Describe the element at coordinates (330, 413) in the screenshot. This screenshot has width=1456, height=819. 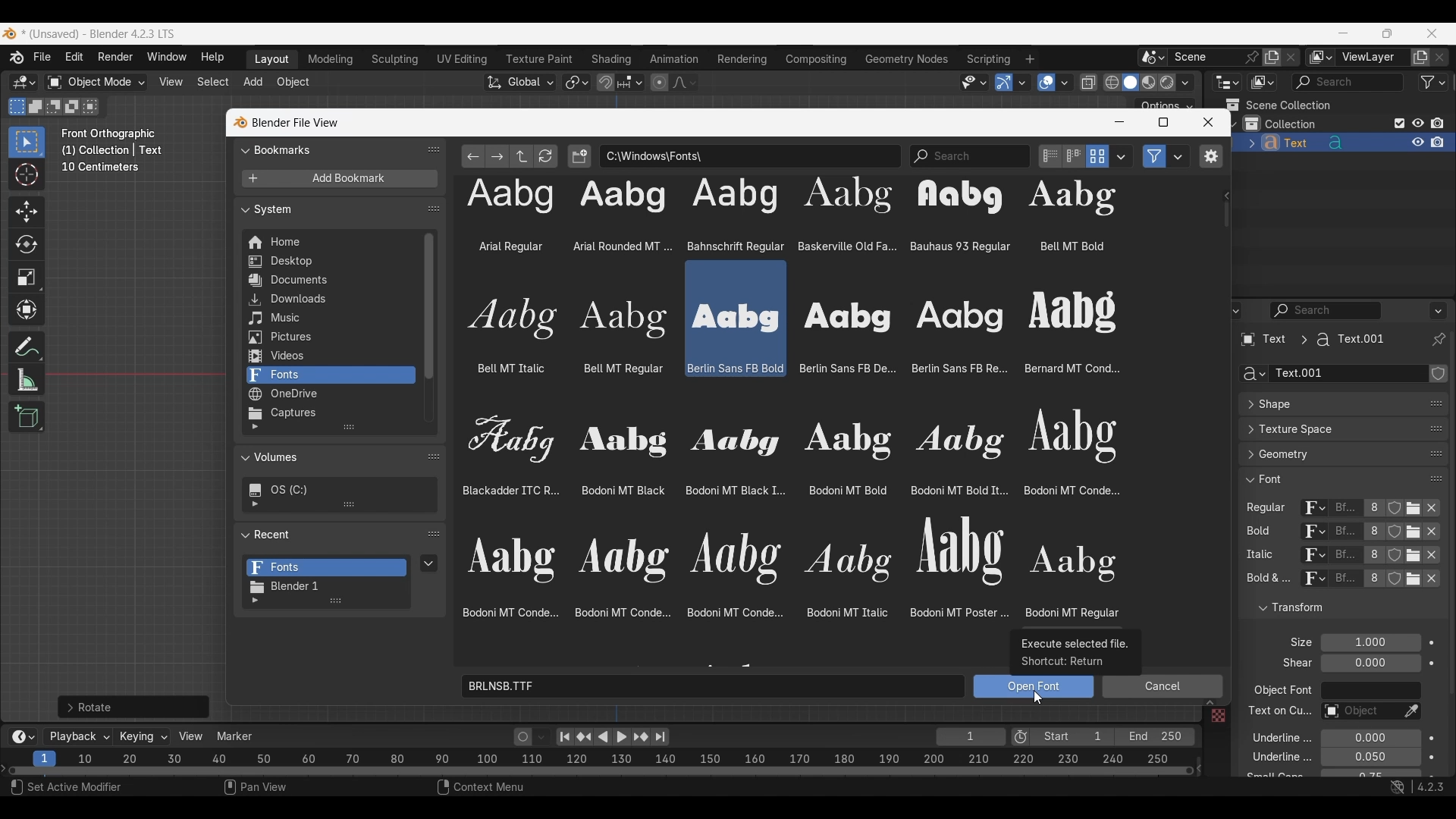
I see `Captures folder` at that location.